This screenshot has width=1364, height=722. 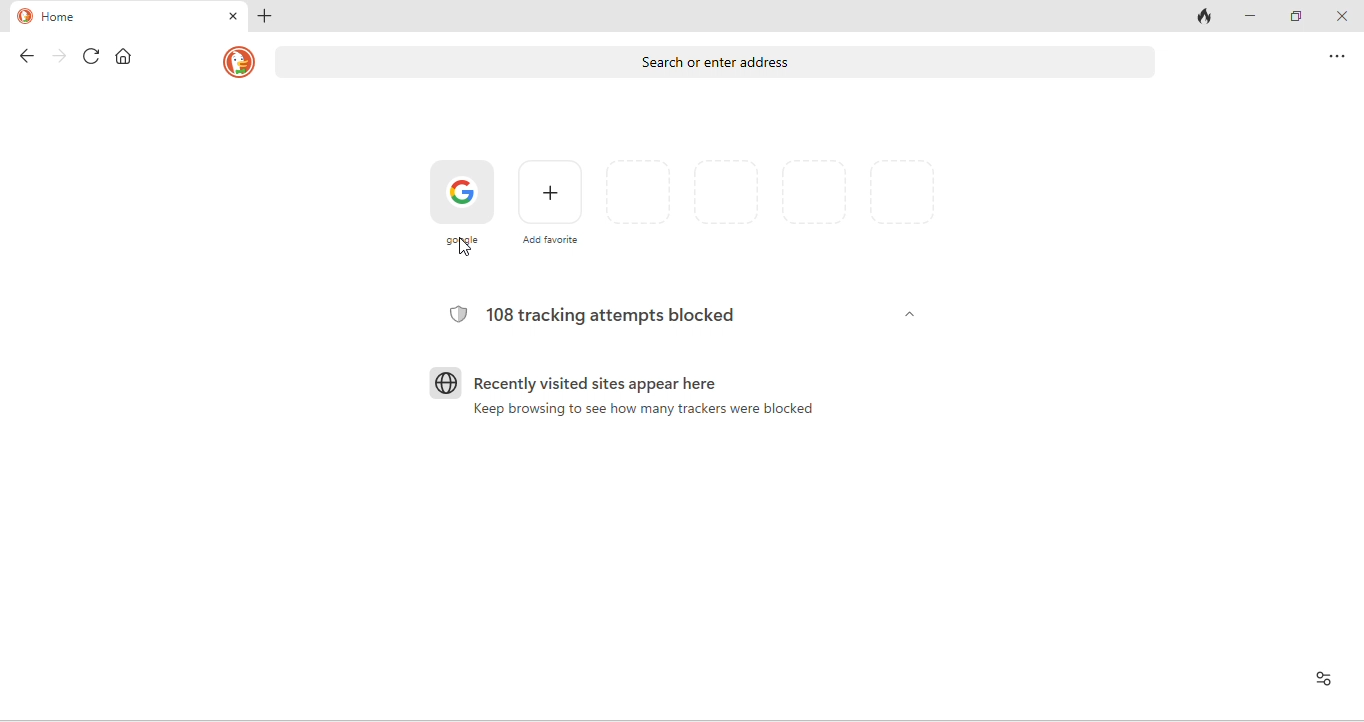 I want to click on google, so click(x=463, y=201).